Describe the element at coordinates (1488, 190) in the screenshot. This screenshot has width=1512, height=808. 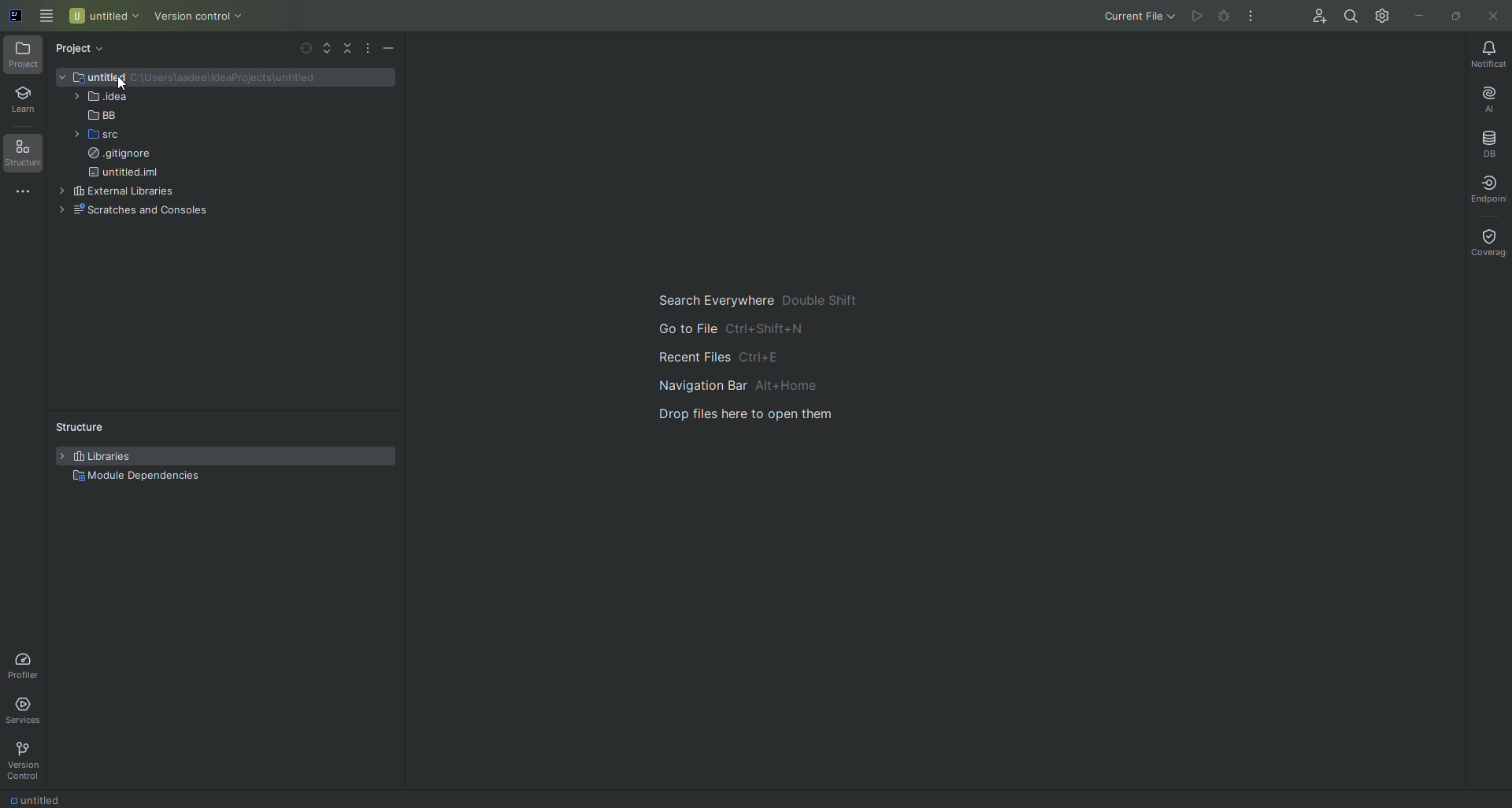
I see `Endpoint` at that location.